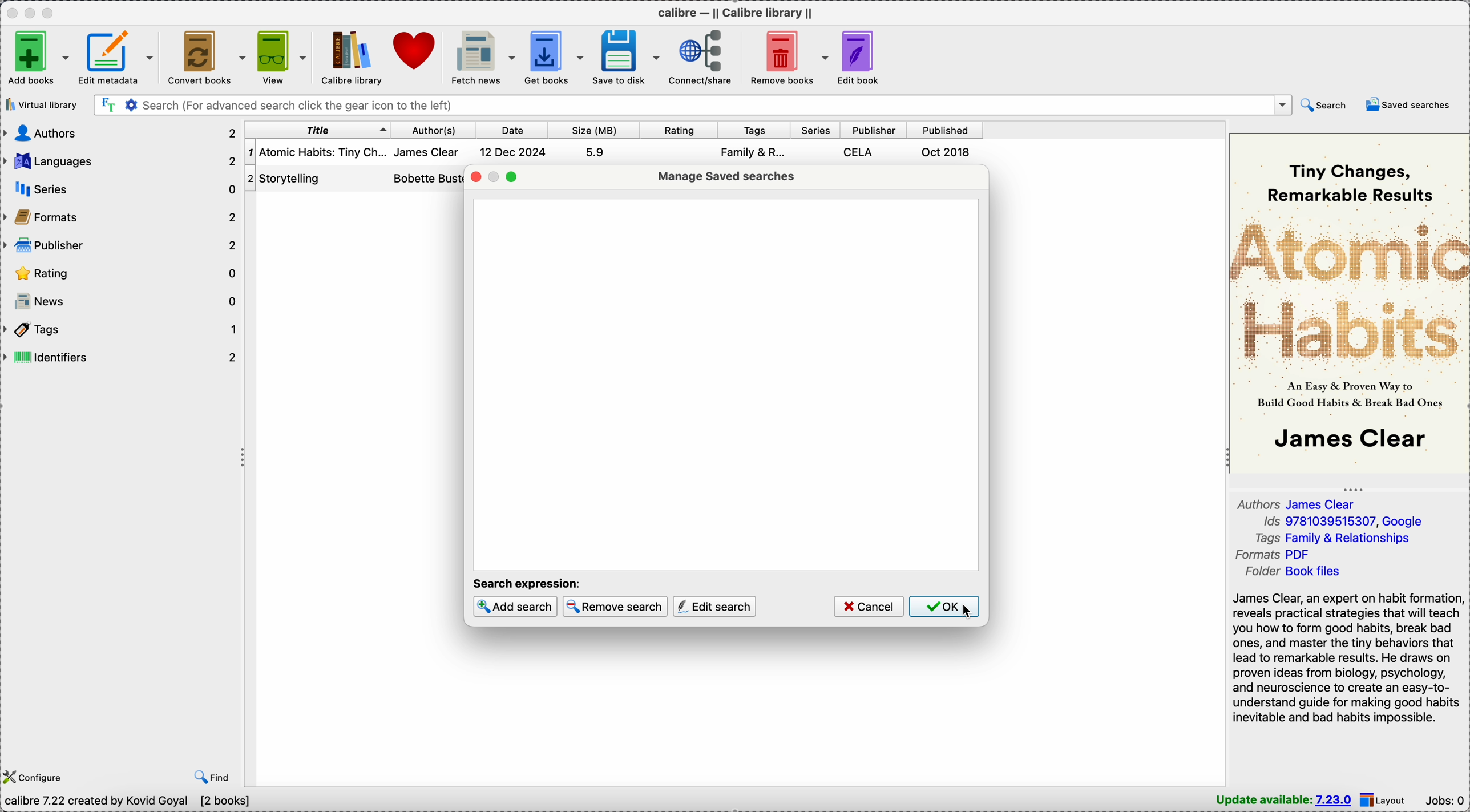 Image resolution: width=1470 pixels, height=812 pixels. I want to click on formats, so click(120, 218).